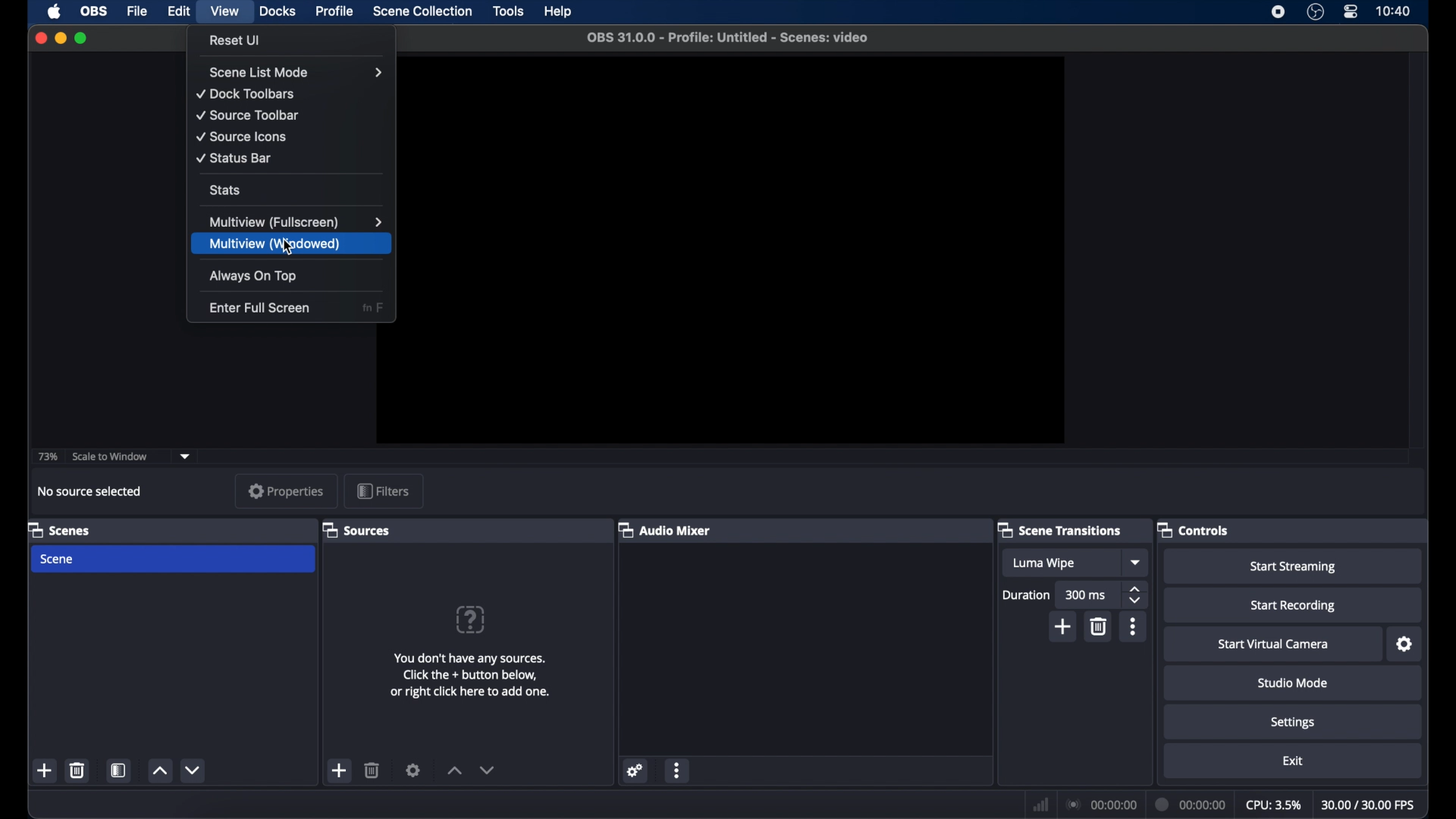 This screenshot has height=819, width=1456. What do you see at coordinates (288, 248) in the screenshot?
I see `cursor` at bounding box center [288, 248].